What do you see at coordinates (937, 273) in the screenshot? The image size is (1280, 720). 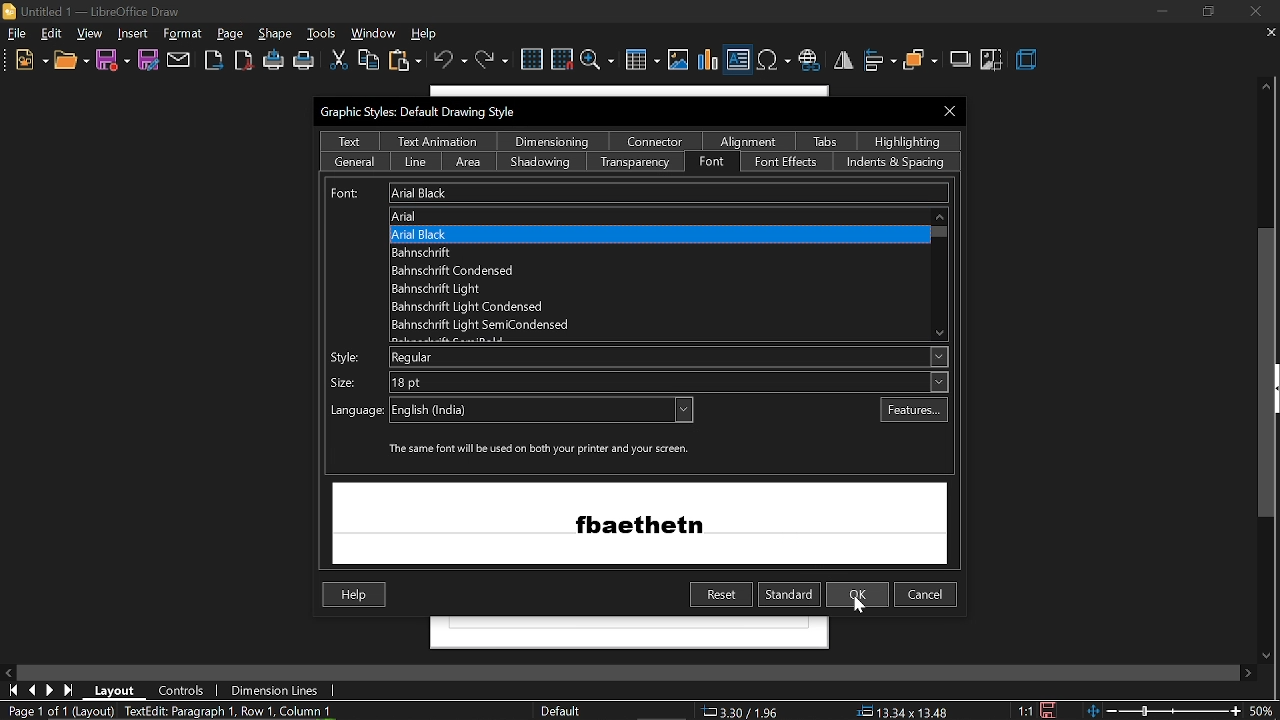 I see `Scroll bar` at bounding box center [937, 273].